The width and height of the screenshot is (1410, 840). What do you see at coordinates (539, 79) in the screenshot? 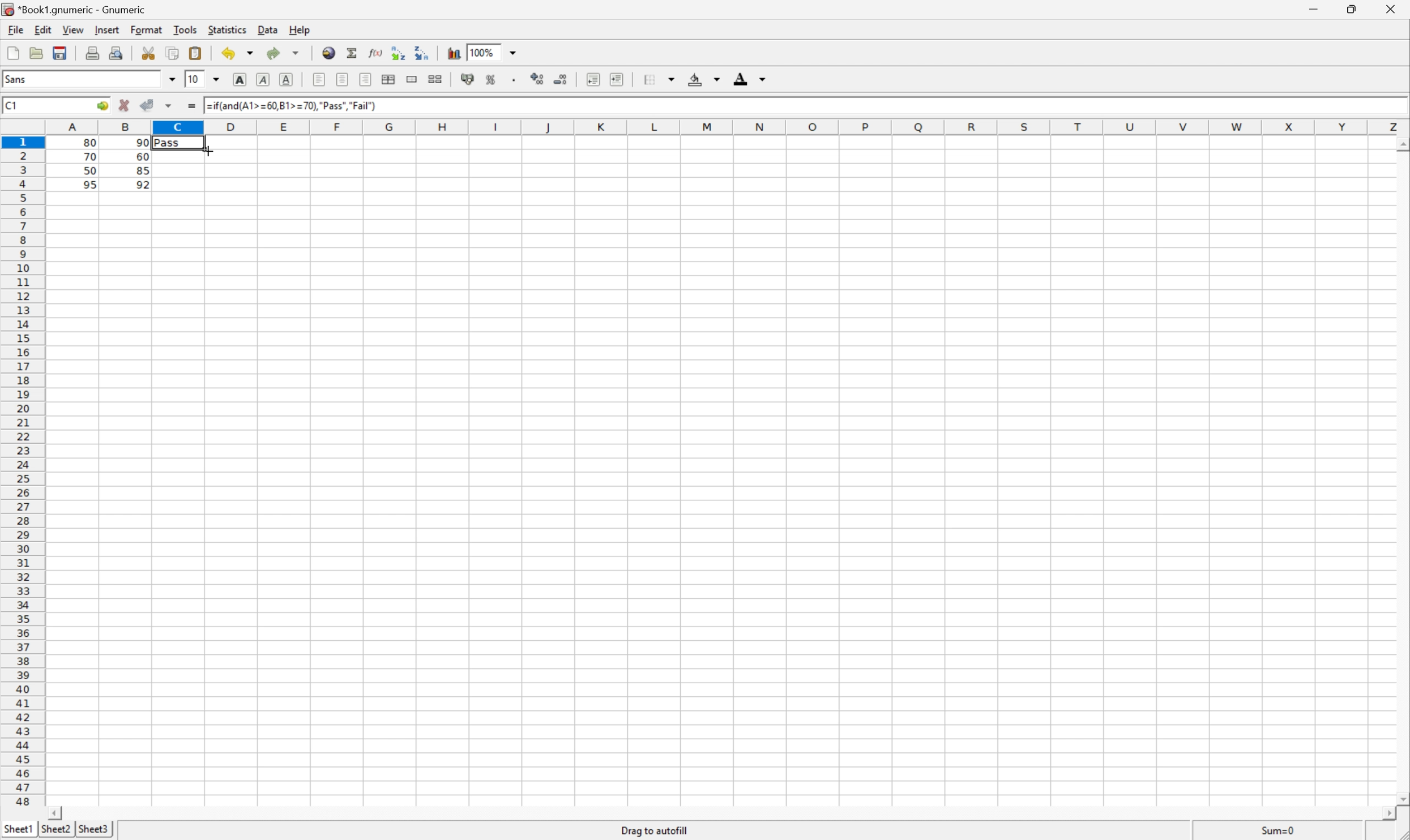
I see `Increase the number of decimals displayed` at bounding box center [539, 79].